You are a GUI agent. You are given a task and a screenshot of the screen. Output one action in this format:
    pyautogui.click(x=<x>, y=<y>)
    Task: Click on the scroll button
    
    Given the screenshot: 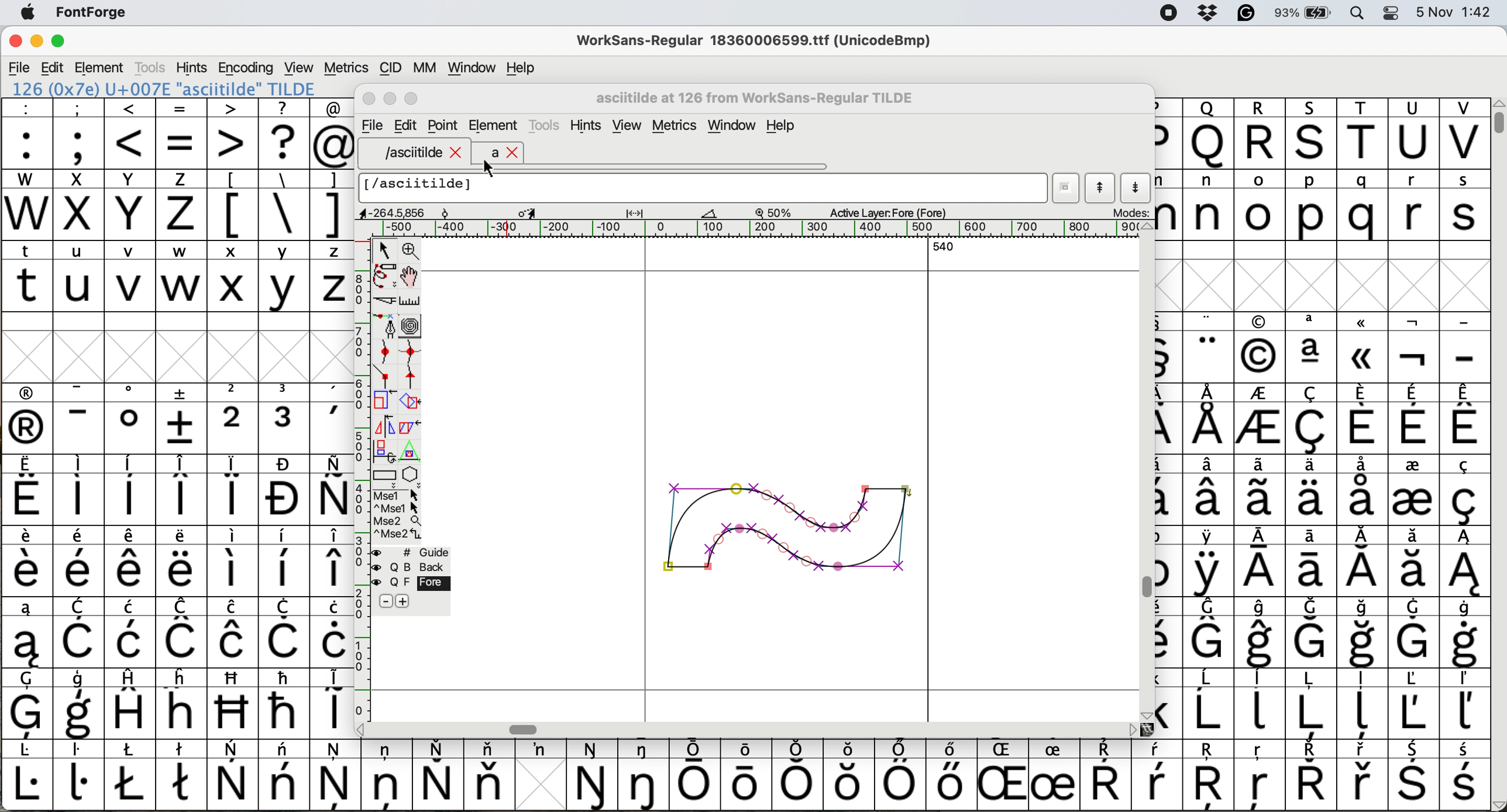 What is the action you would take?
    pyautogui.click(x=1147, y=227)
    